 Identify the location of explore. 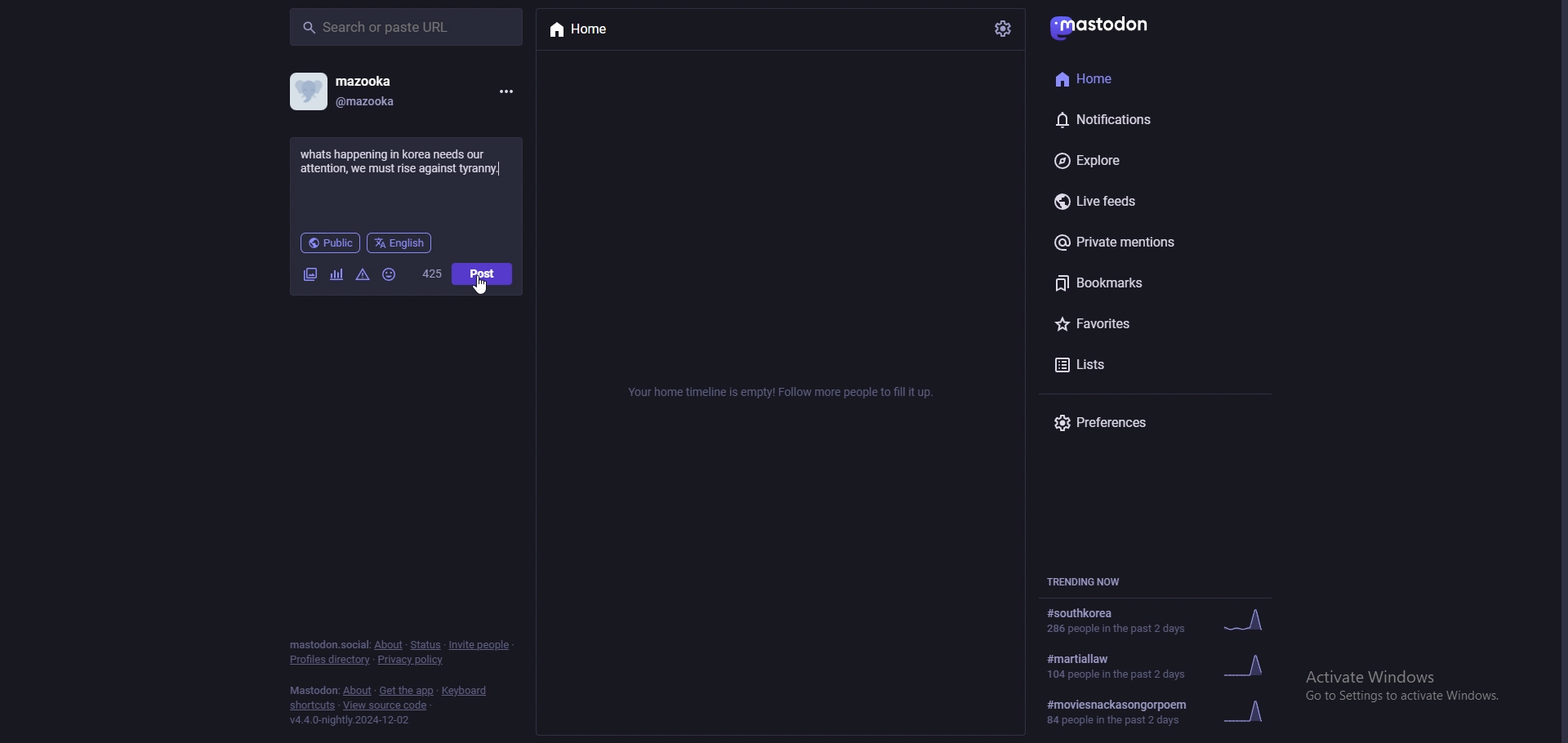
(1149, 160).